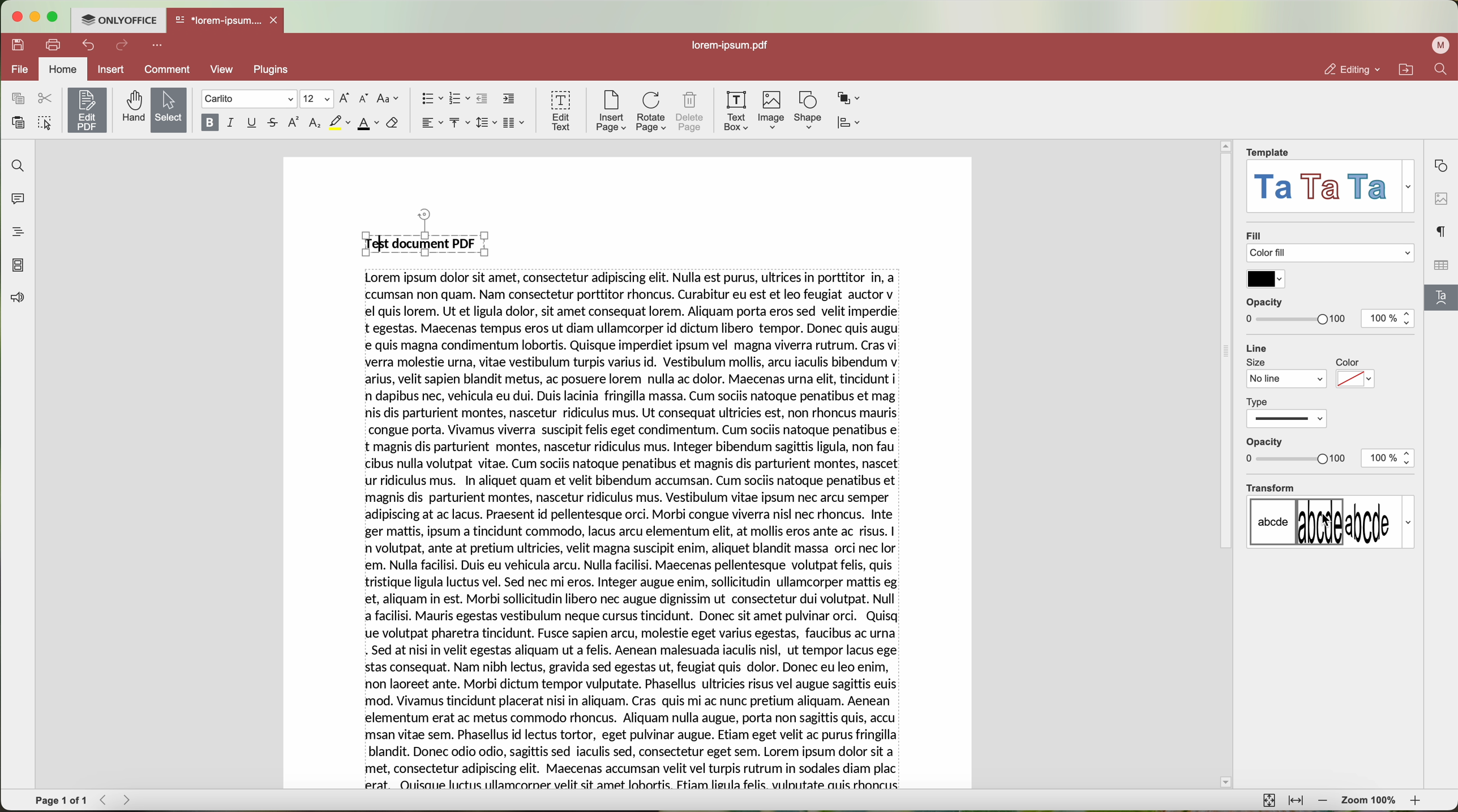 The width and height of the screenshot is (1458, 812). I want to click on text box, so click(738, 111).